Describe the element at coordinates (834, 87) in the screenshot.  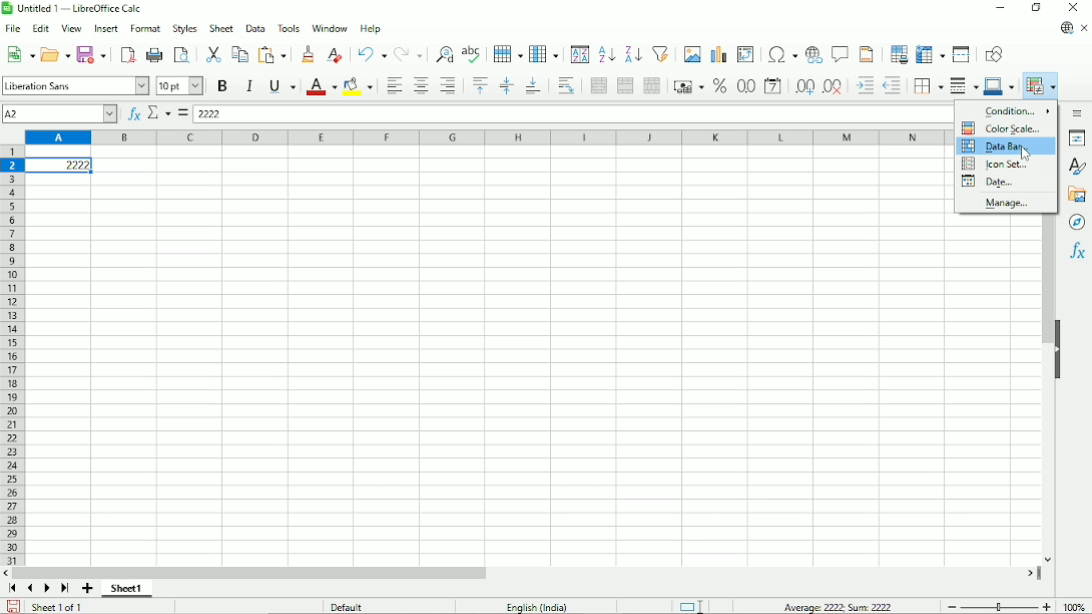
I see `Delete decimal place` at that location.